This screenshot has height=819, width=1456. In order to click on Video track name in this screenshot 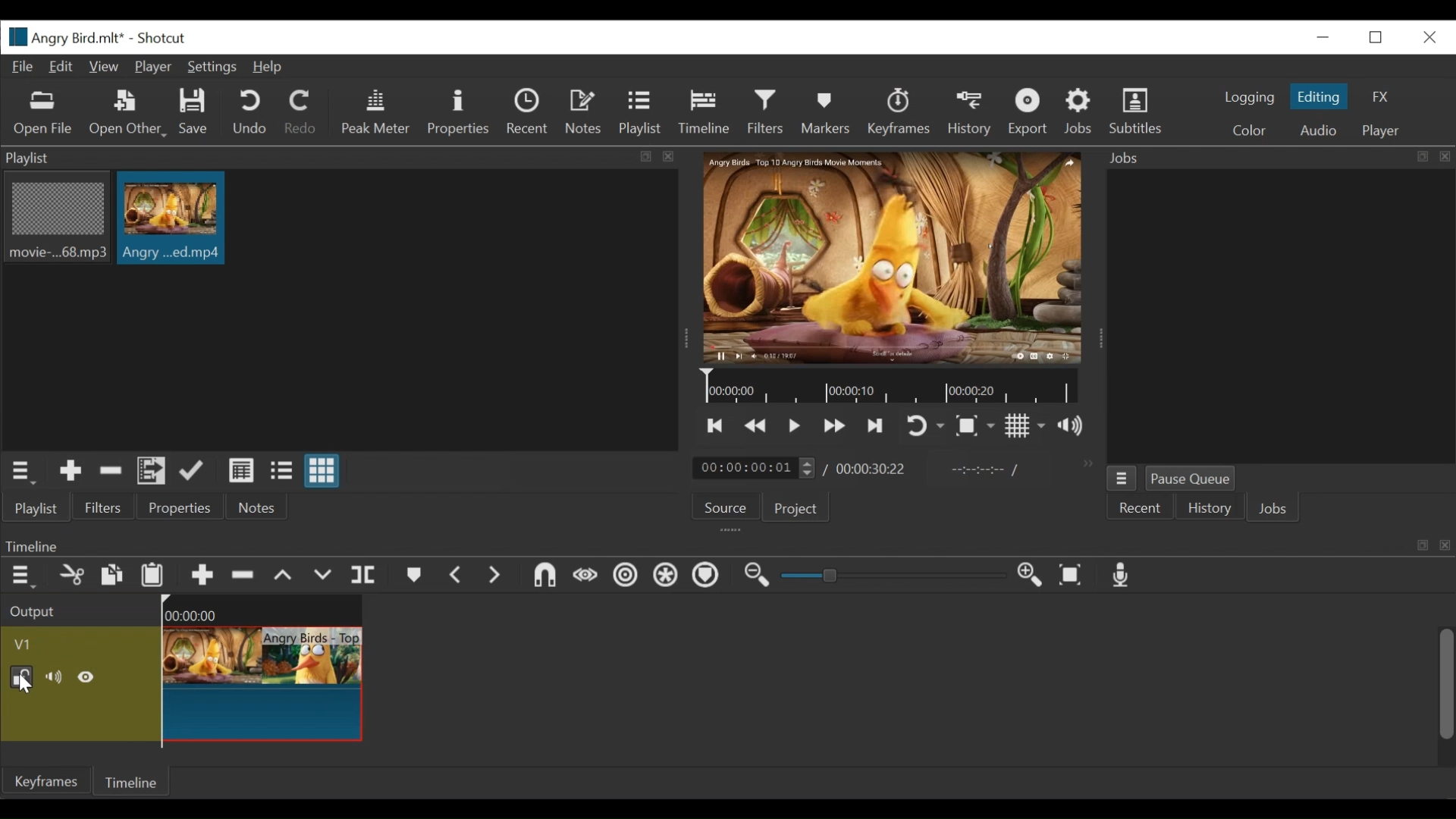, I will do `click(78, 644)`.